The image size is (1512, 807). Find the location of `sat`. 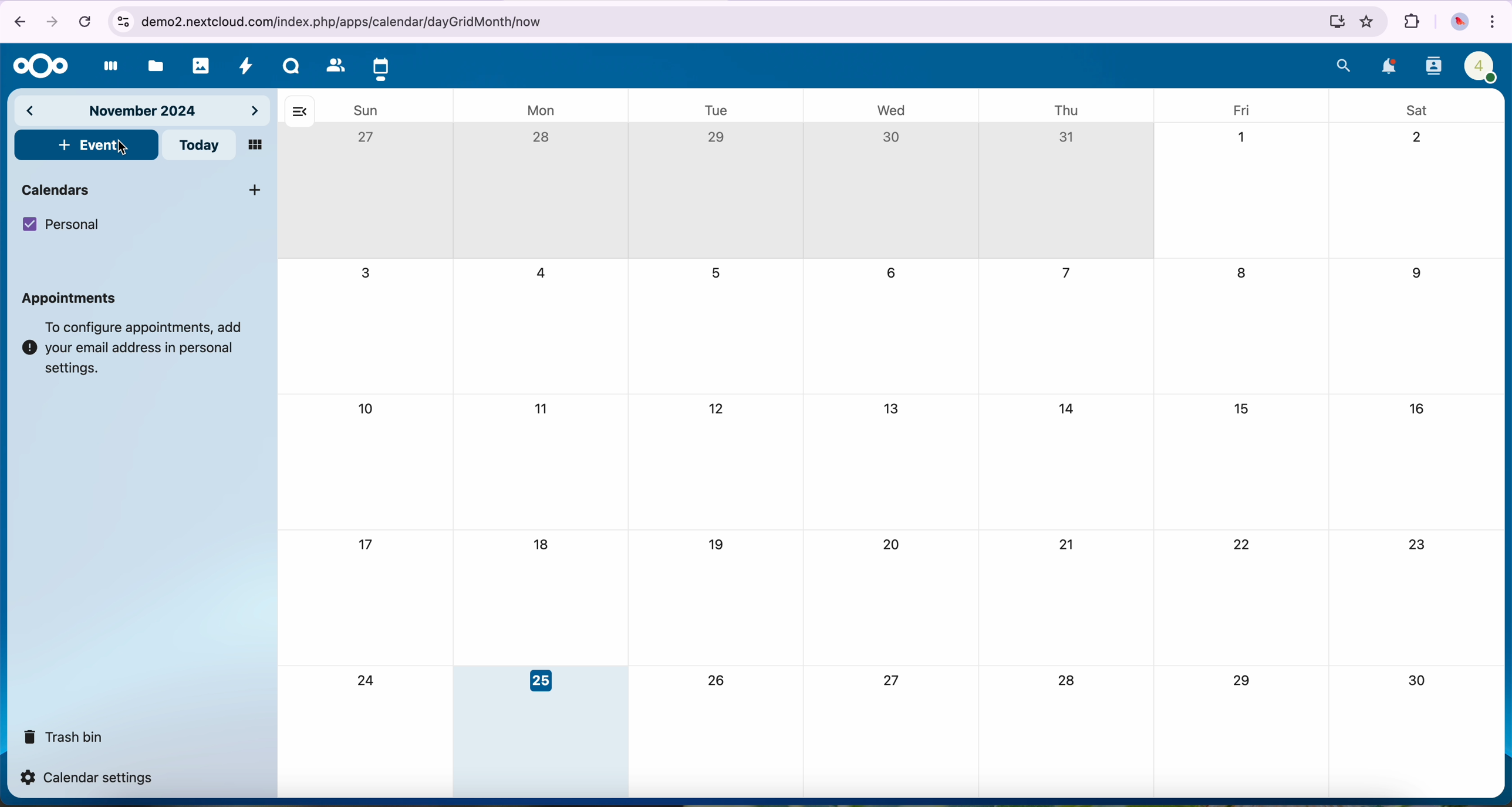

sat is located at coordinates (1421, 110).